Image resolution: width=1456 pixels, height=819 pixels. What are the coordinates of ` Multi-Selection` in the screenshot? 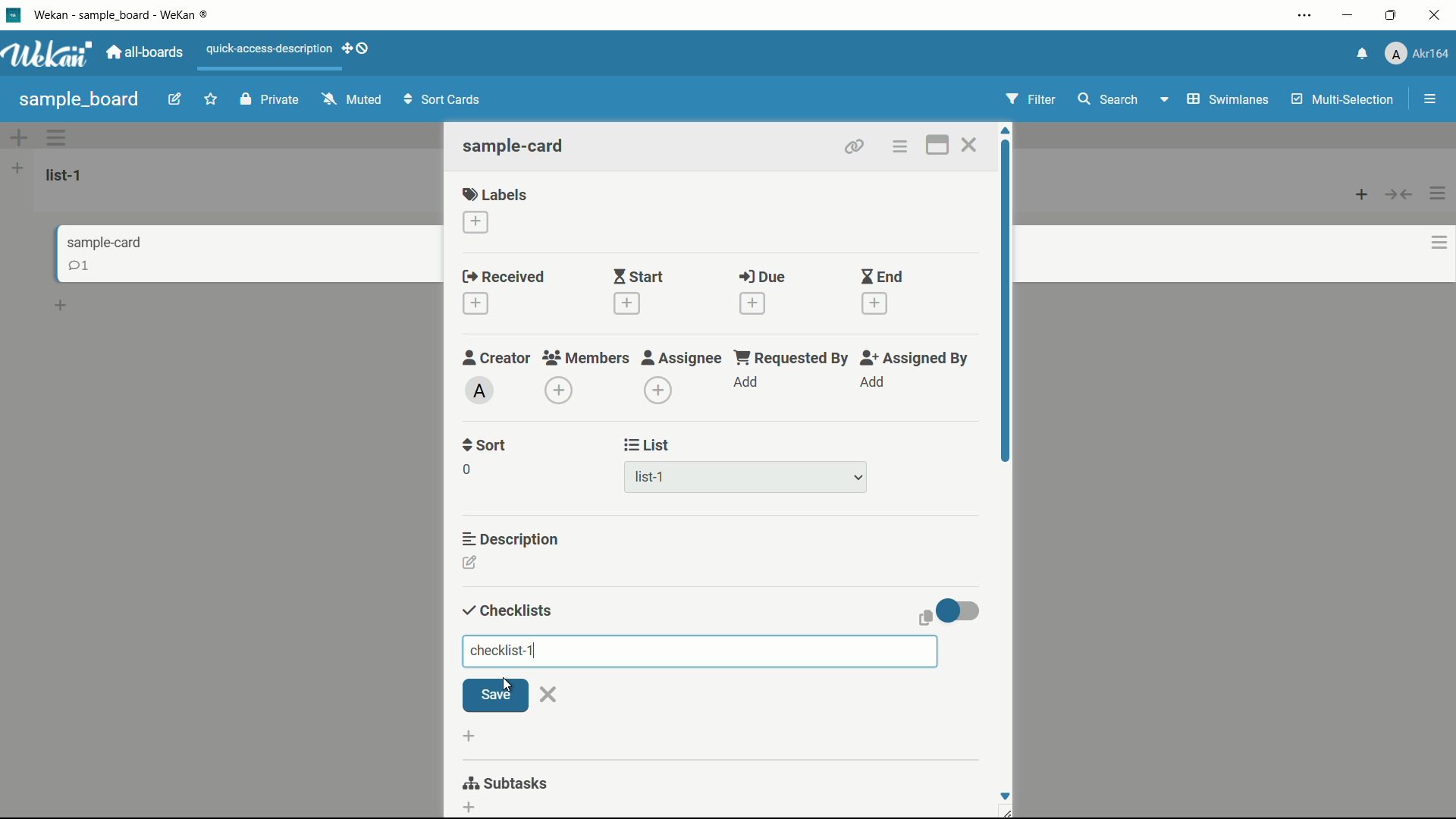 It's located at (1345, 101).